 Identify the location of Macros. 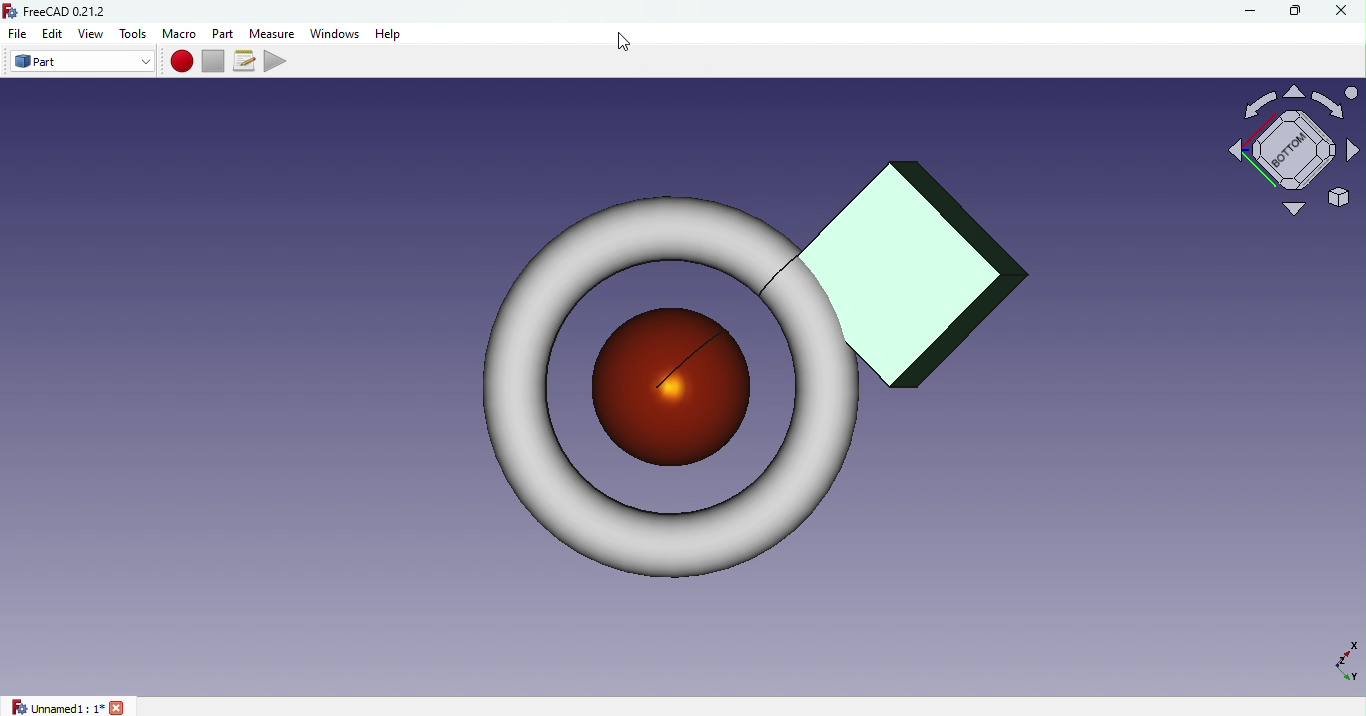
(243, 60).